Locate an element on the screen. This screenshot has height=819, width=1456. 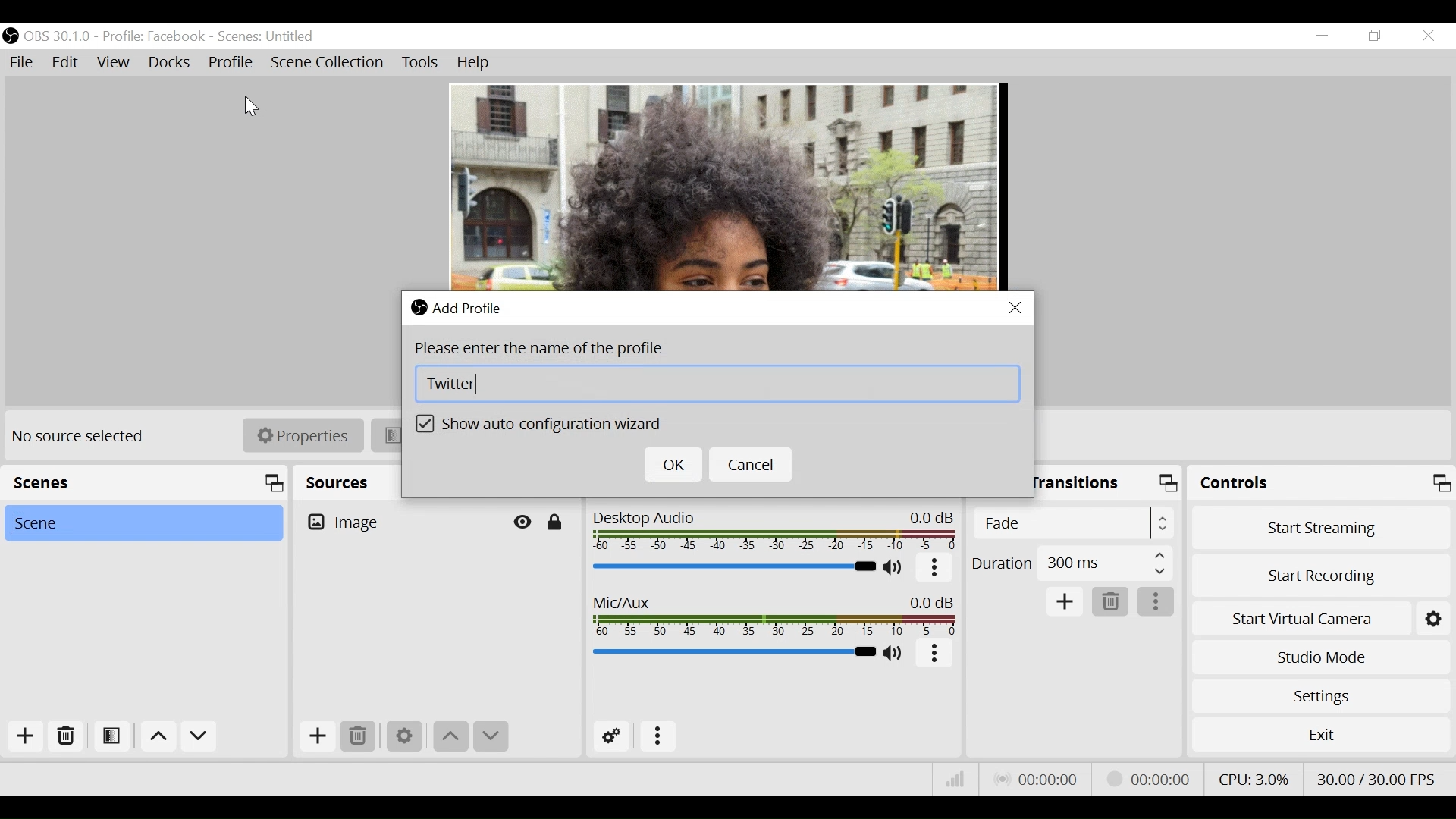
Scenes Panel is located at coordinates (144, 482).